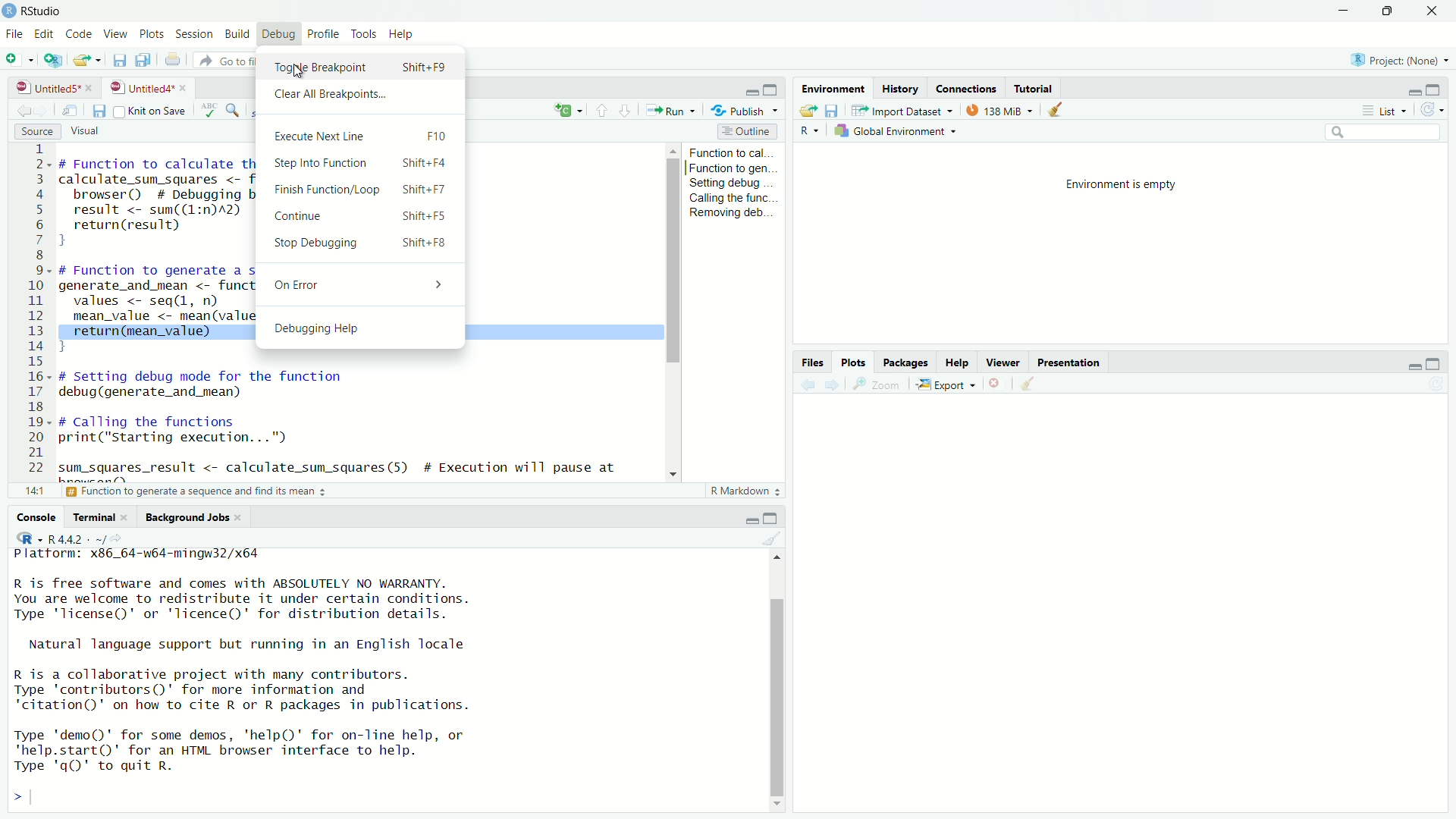  What do you see at coordinates (733, 183) in the screenshot?
I see `setting debug...` at bounding box center [733, 183].